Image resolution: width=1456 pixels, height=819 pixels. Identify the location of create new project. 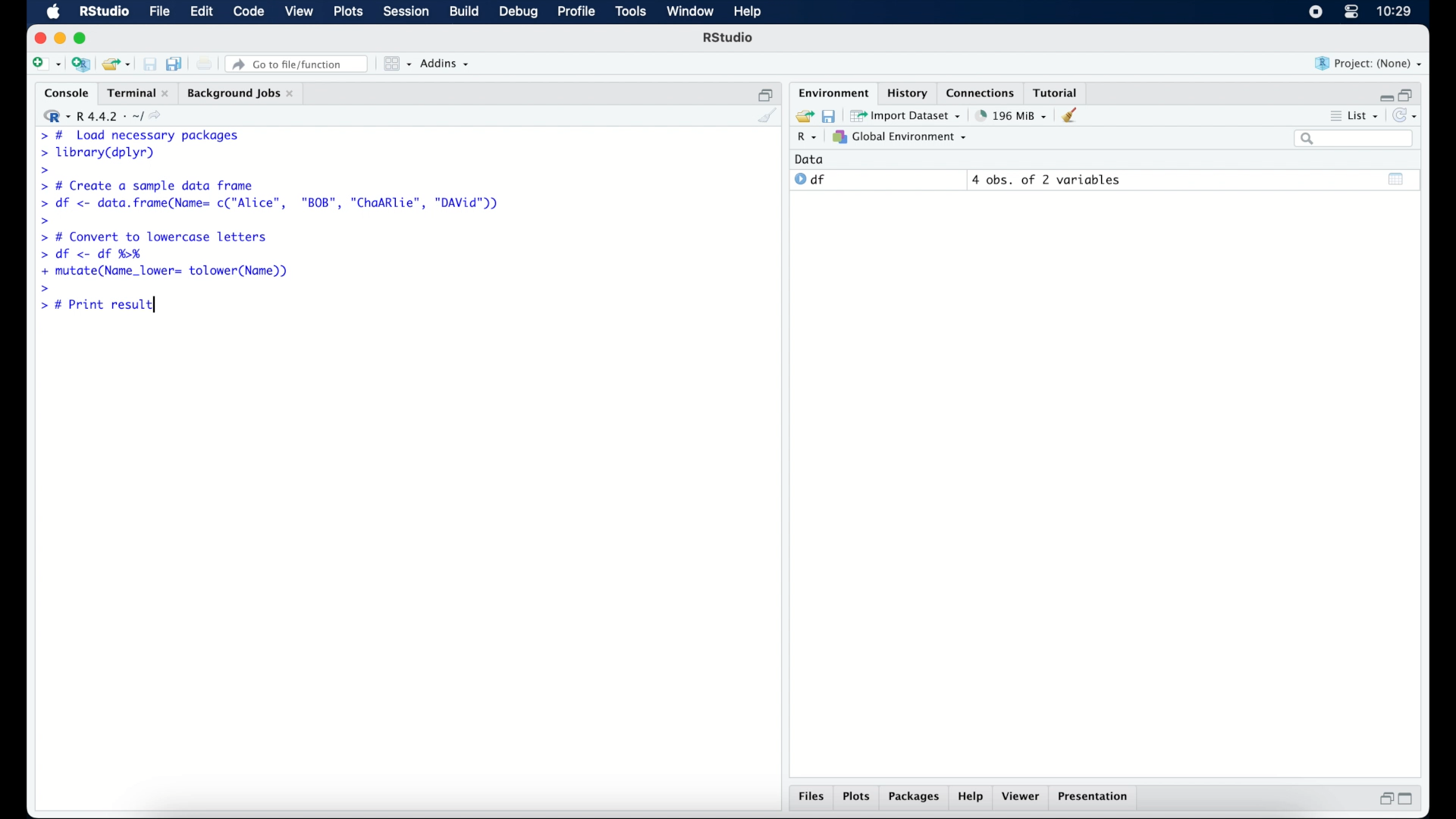
(81, 65).